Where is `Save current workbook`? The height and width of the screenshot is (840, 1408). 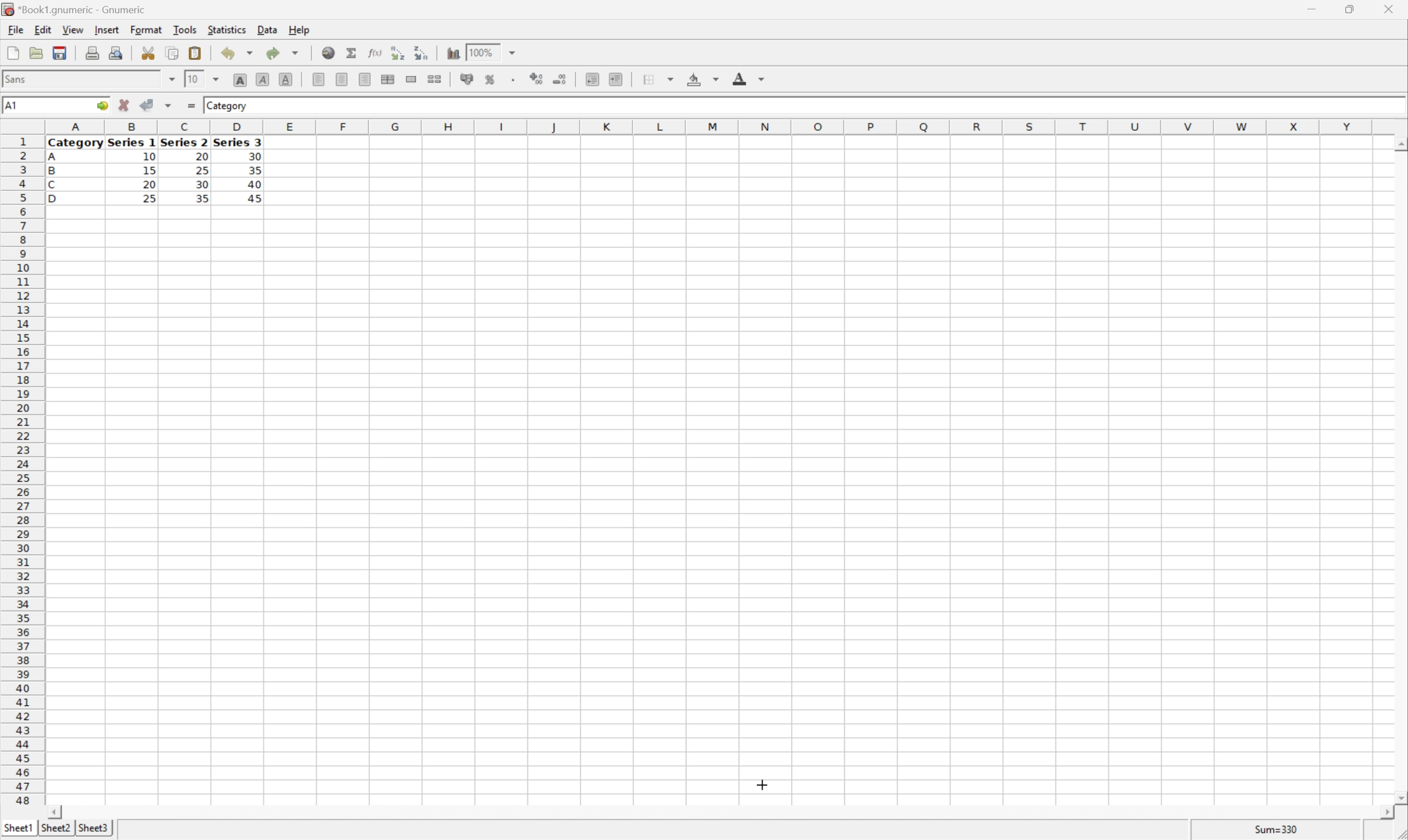
Save current workbook is located at coordinates (59, 52).